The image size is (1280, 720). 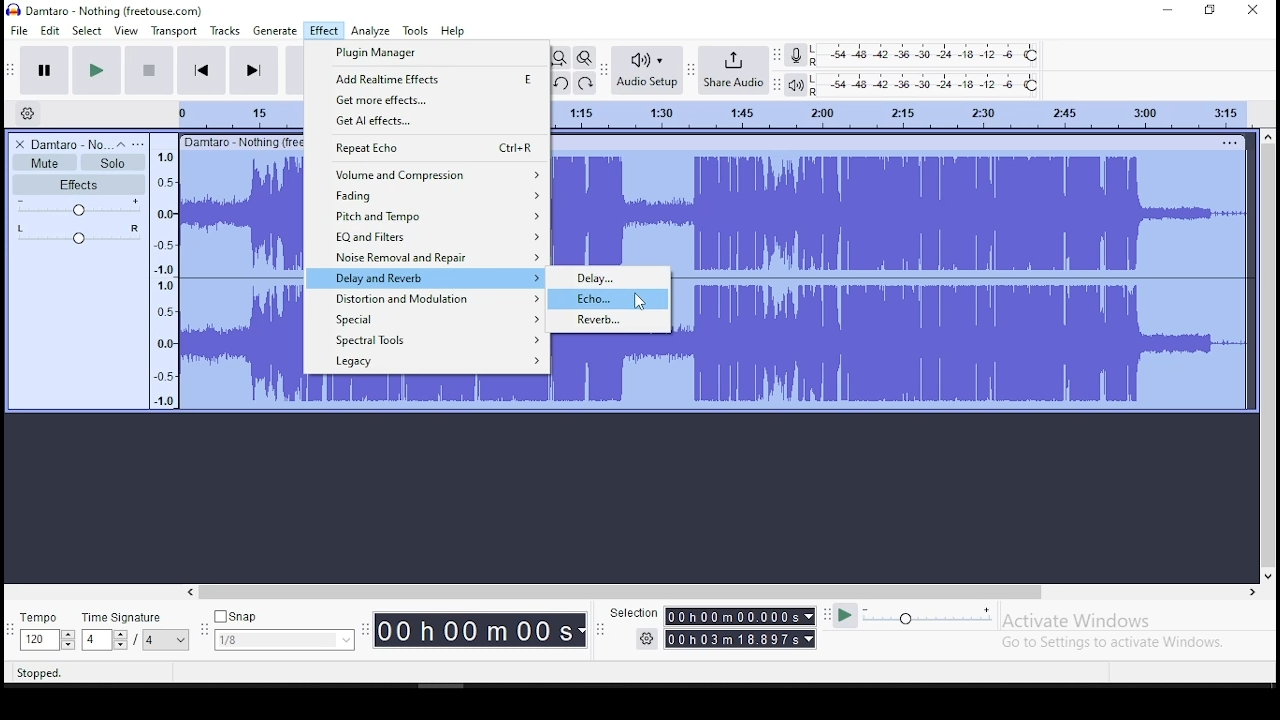 I want to click on Drop down, so click(x=345, y=638).